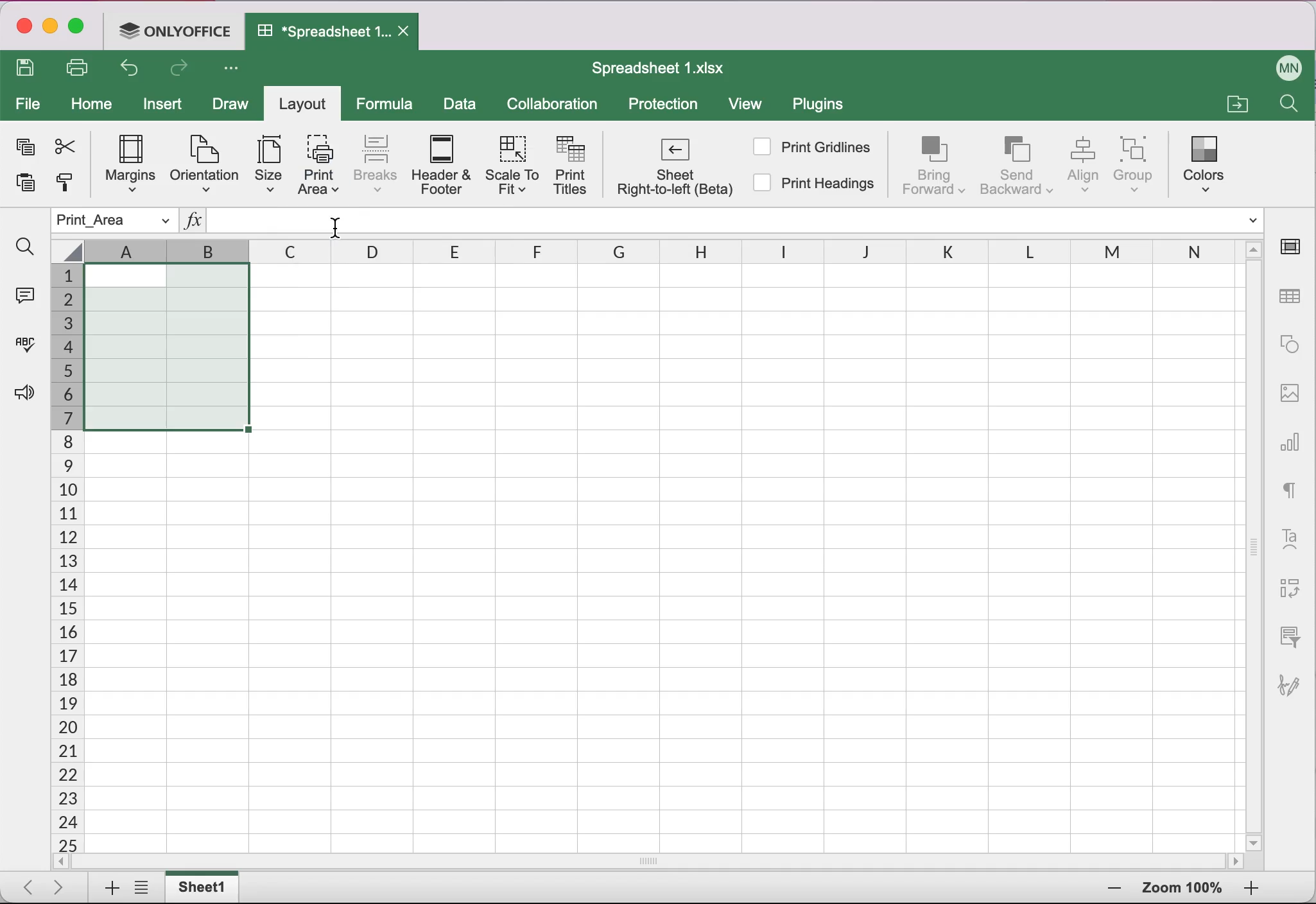 This screenshot has width=1316, height=904. I want to click on table, so click(1292, 297).